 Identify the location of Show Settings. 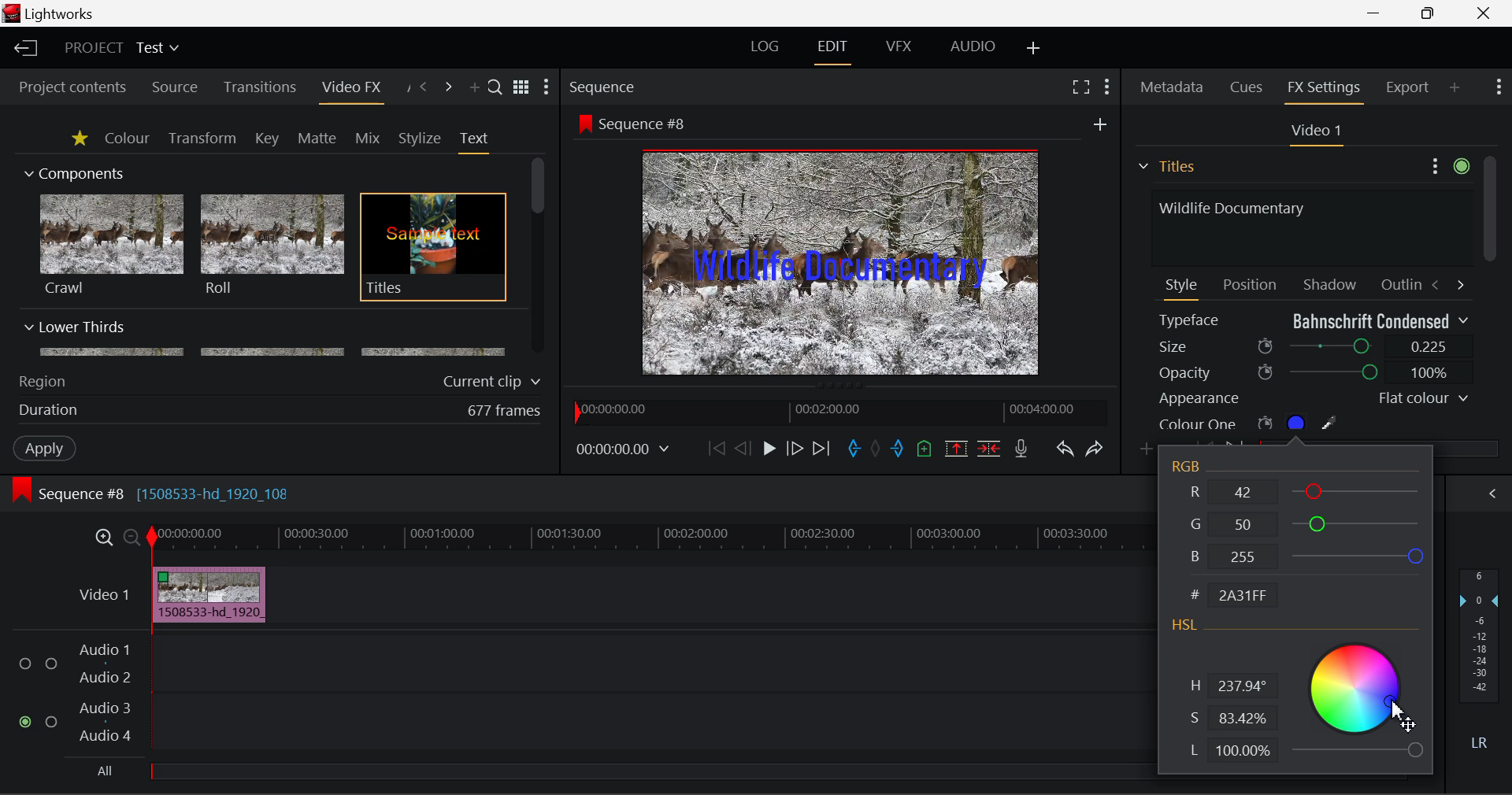
(1499, 85).